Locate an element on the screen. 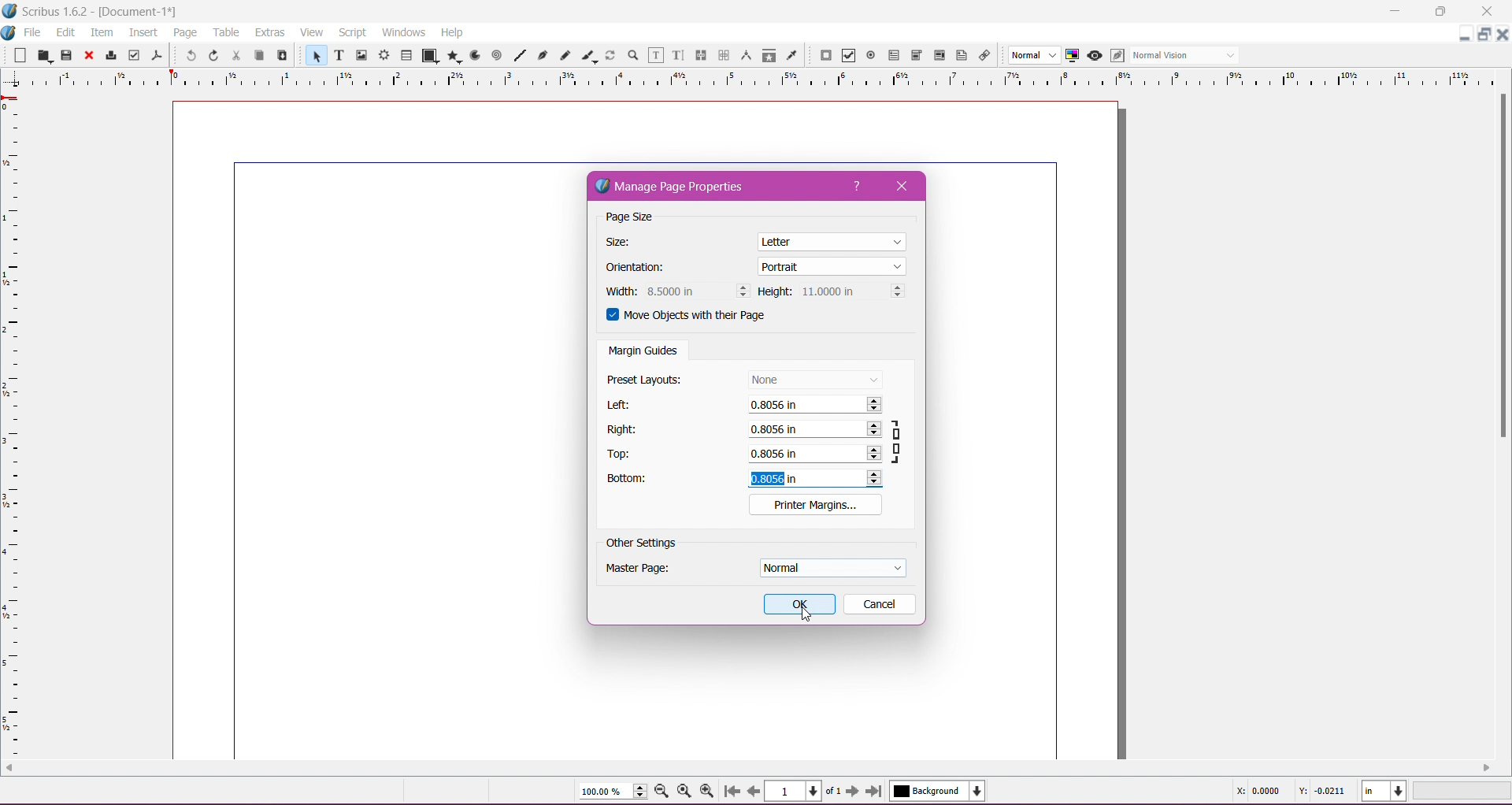  Go to last page is located at coordinates (875, 792).